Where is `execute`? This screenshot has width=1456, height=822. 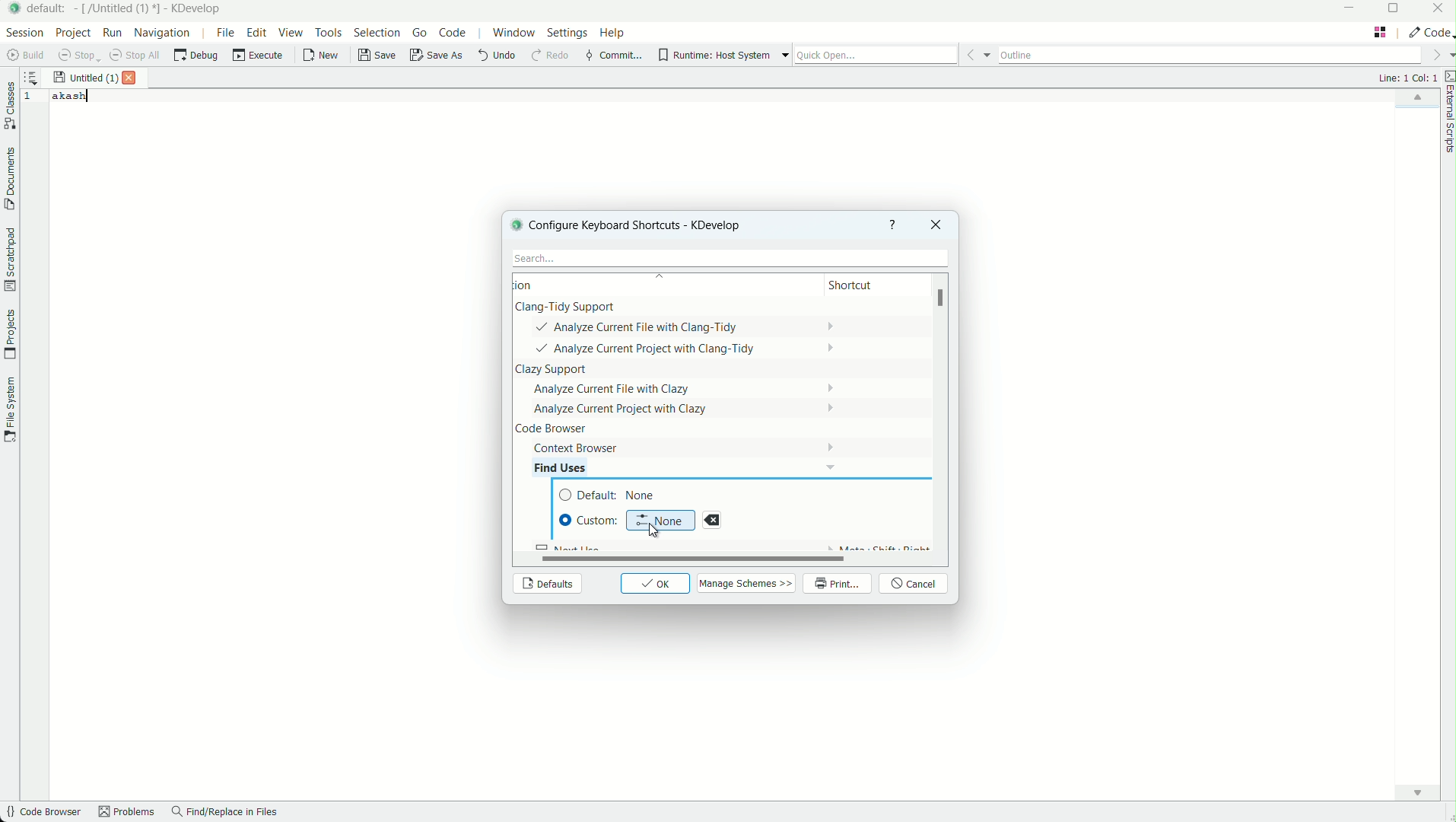
execute is located at coordinates (259, 56).